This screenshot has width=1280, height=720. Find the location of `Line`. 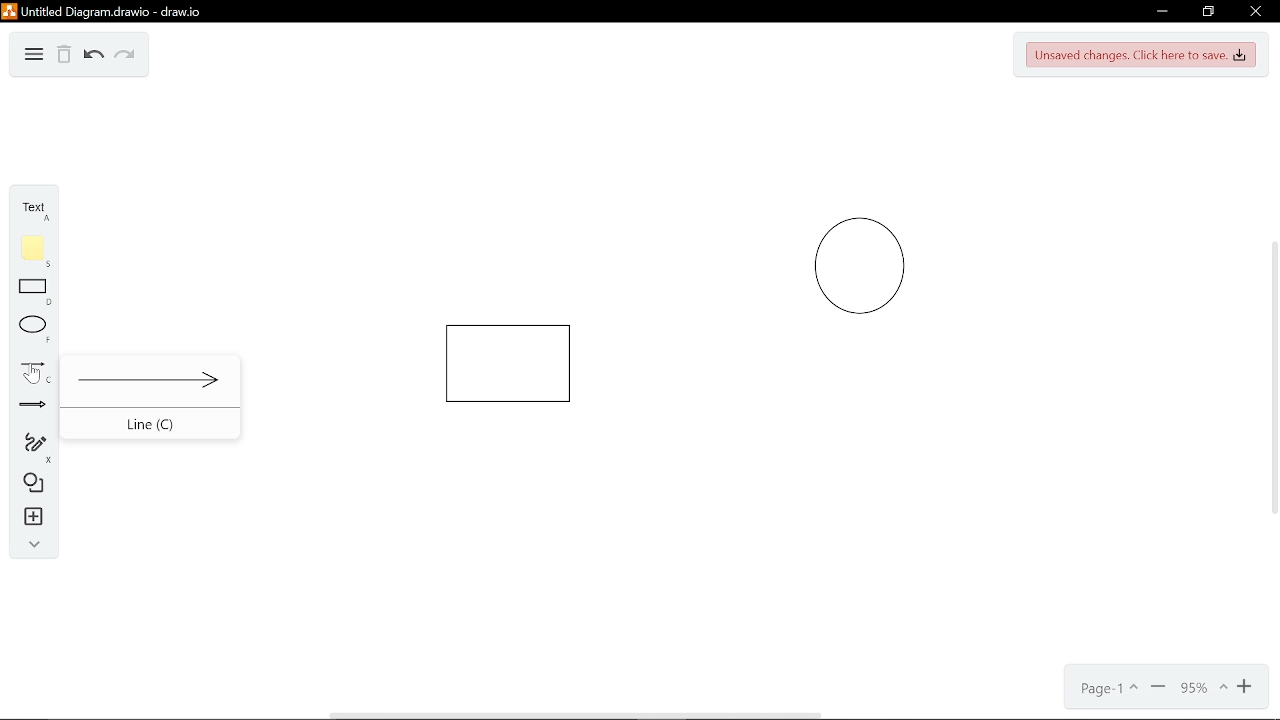

Line is located at coordinates (154, 379).